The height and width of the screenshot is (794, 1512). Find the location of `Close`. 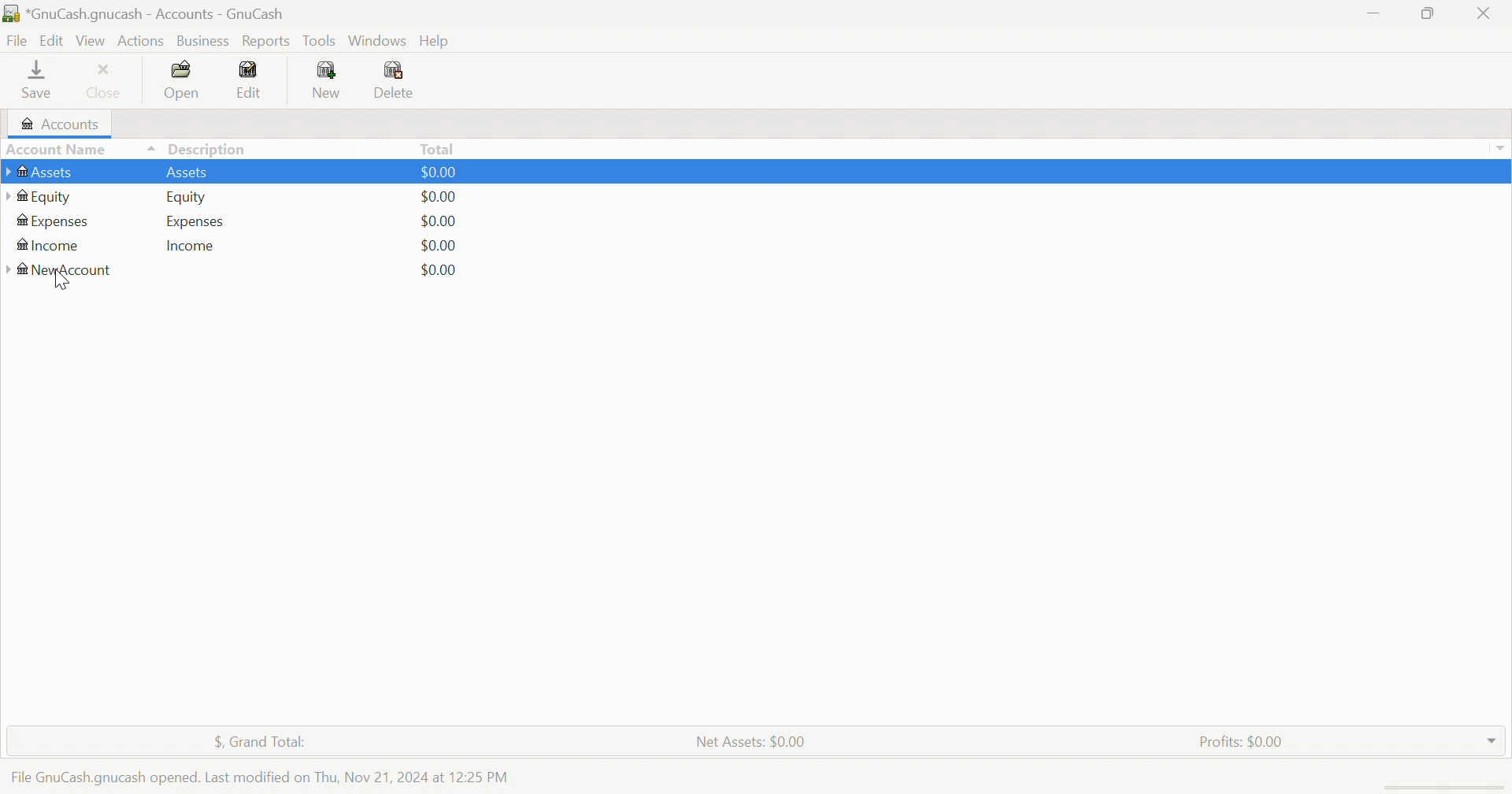

Close is located at coordinates (1484, 13).